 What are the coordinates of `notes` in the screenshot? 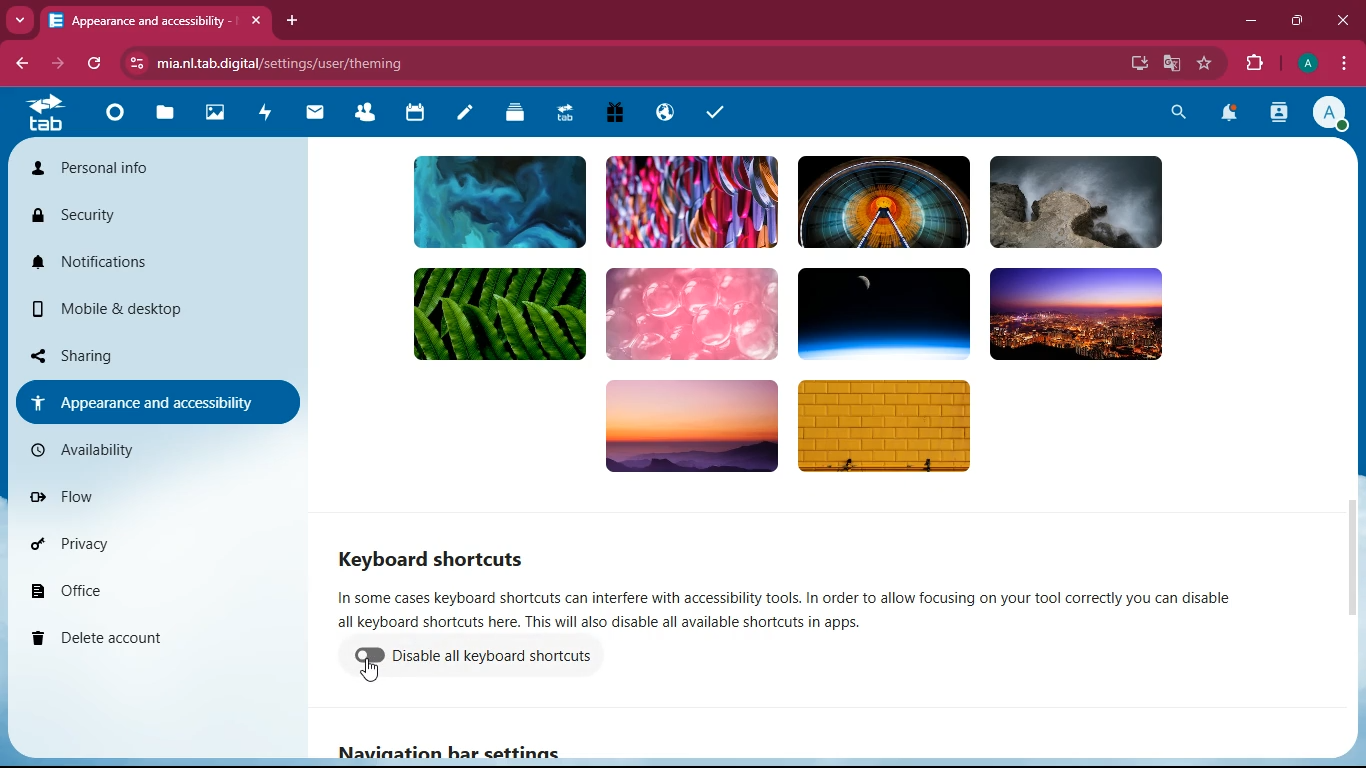 It's located at (464, 115).